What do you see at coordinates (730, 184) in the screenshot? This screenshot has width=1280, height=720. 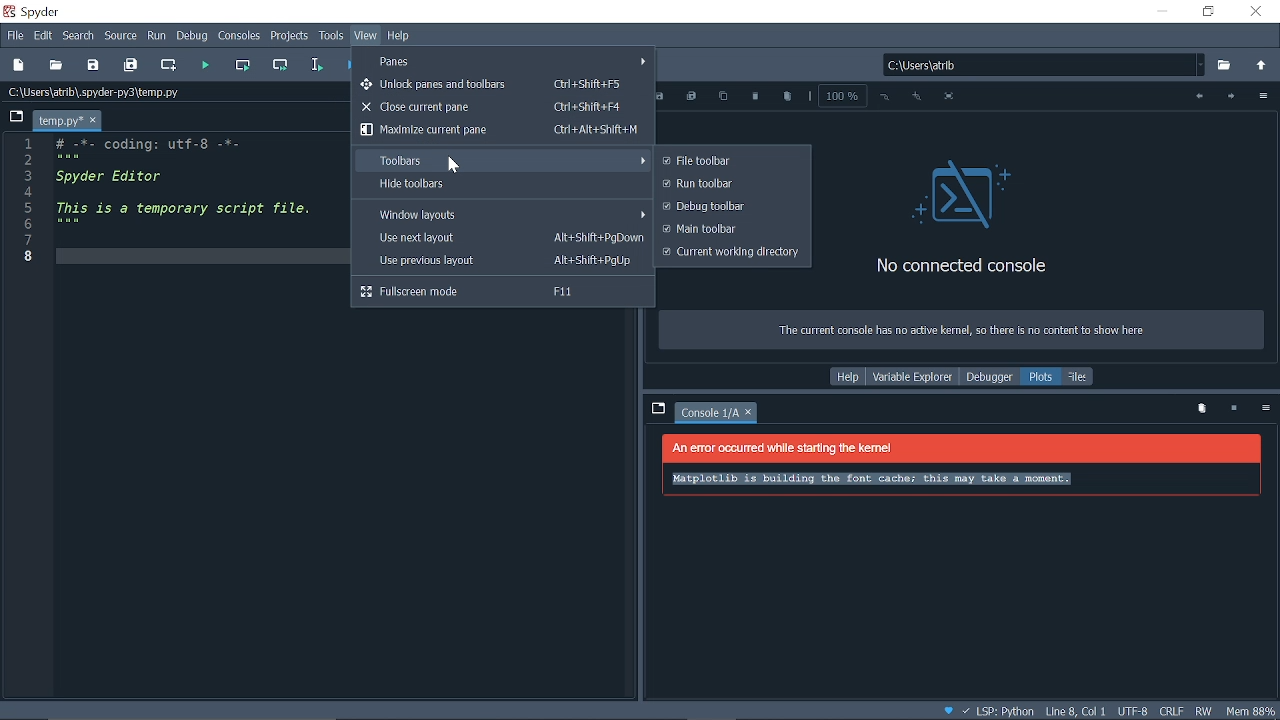 I see `Run toolbar` at bounding box center [730, 184].